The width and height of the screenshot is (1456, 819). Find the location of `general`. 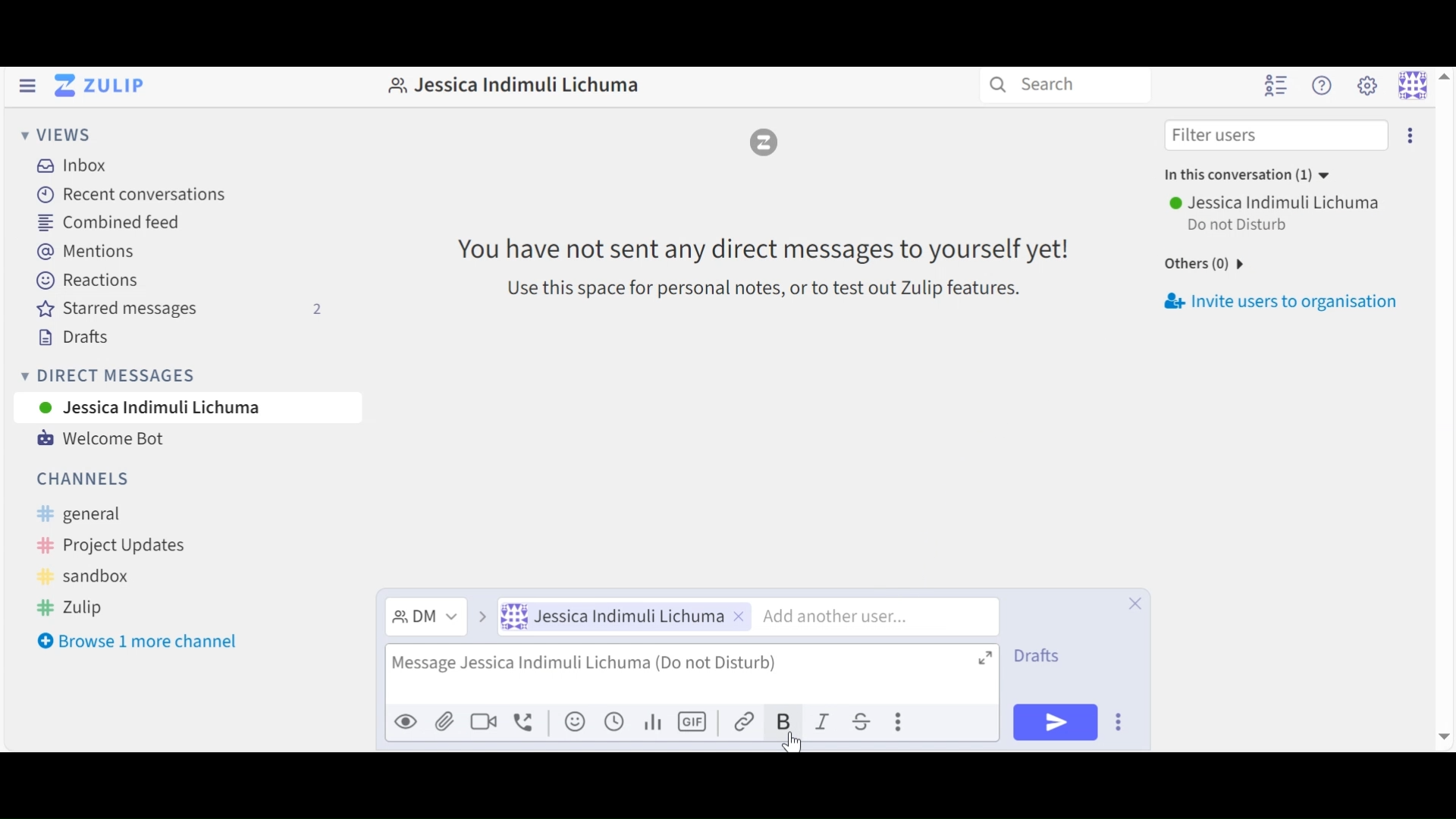

general is located at coordinates (96, 514).